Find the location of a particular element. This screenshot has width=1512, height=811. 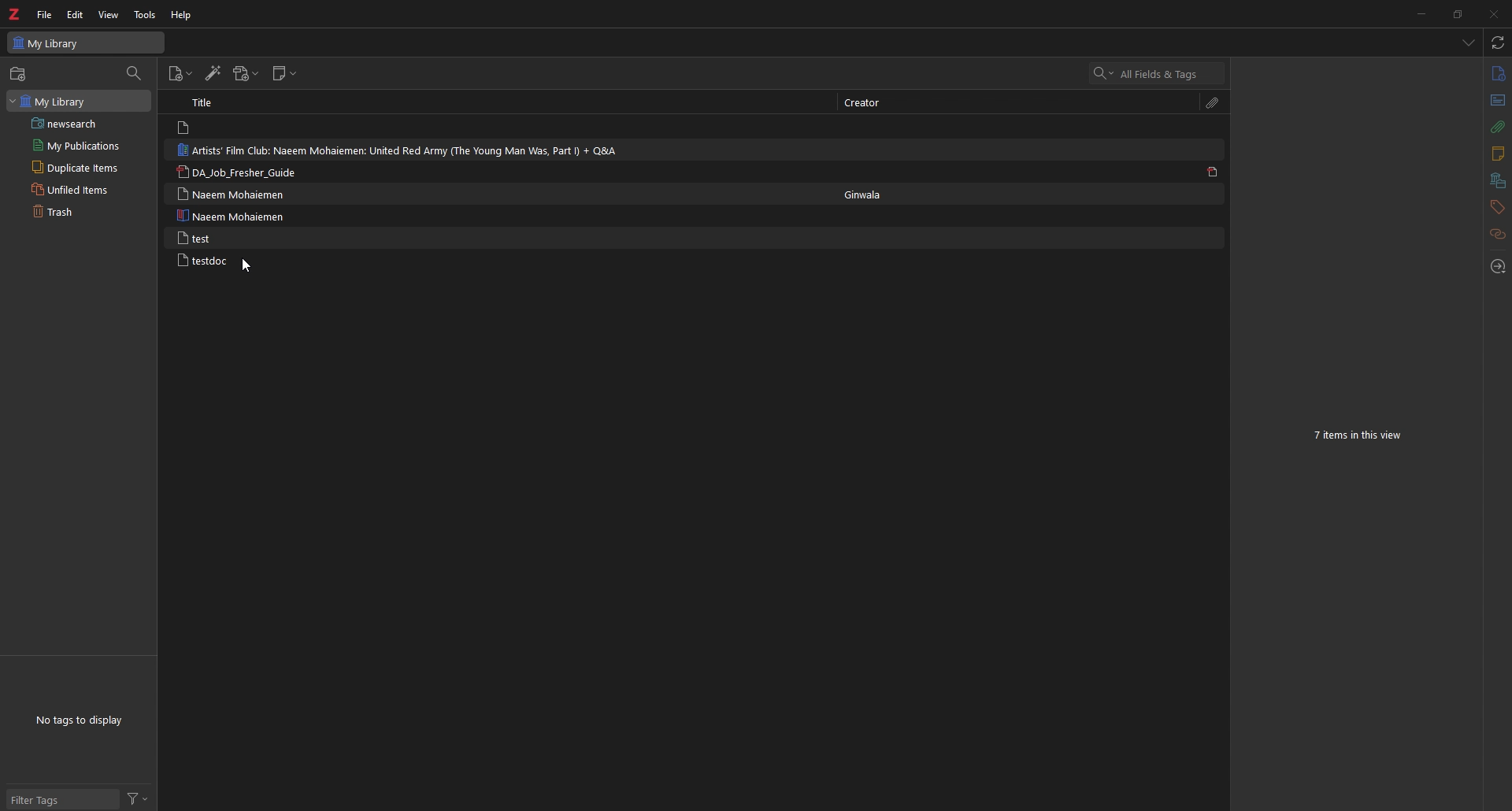

attachment is located at coordinates (1215, 103).